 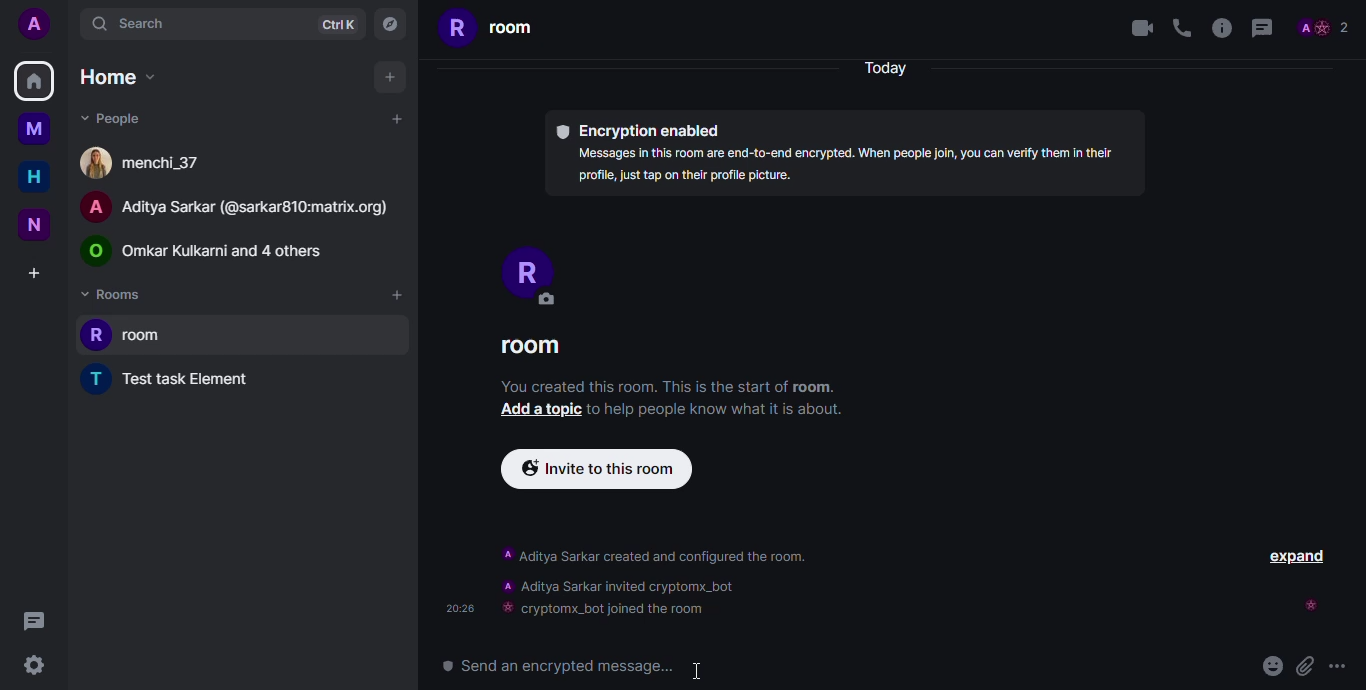 I want to click on create a space, so click(x=35, y=271).